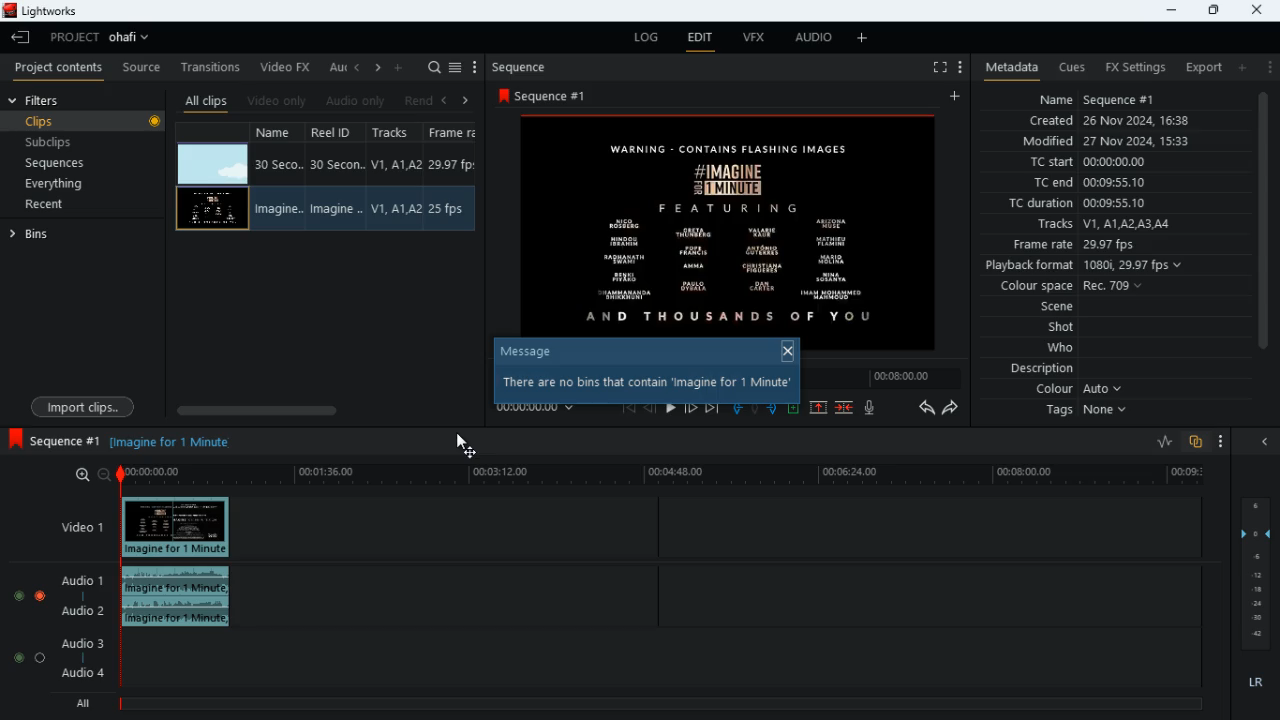 This screenshot has width=1280, height=720. What do you see at coordinates (457, 65) in the screenshot?
I see `menu` at bounding box center [457, 65].